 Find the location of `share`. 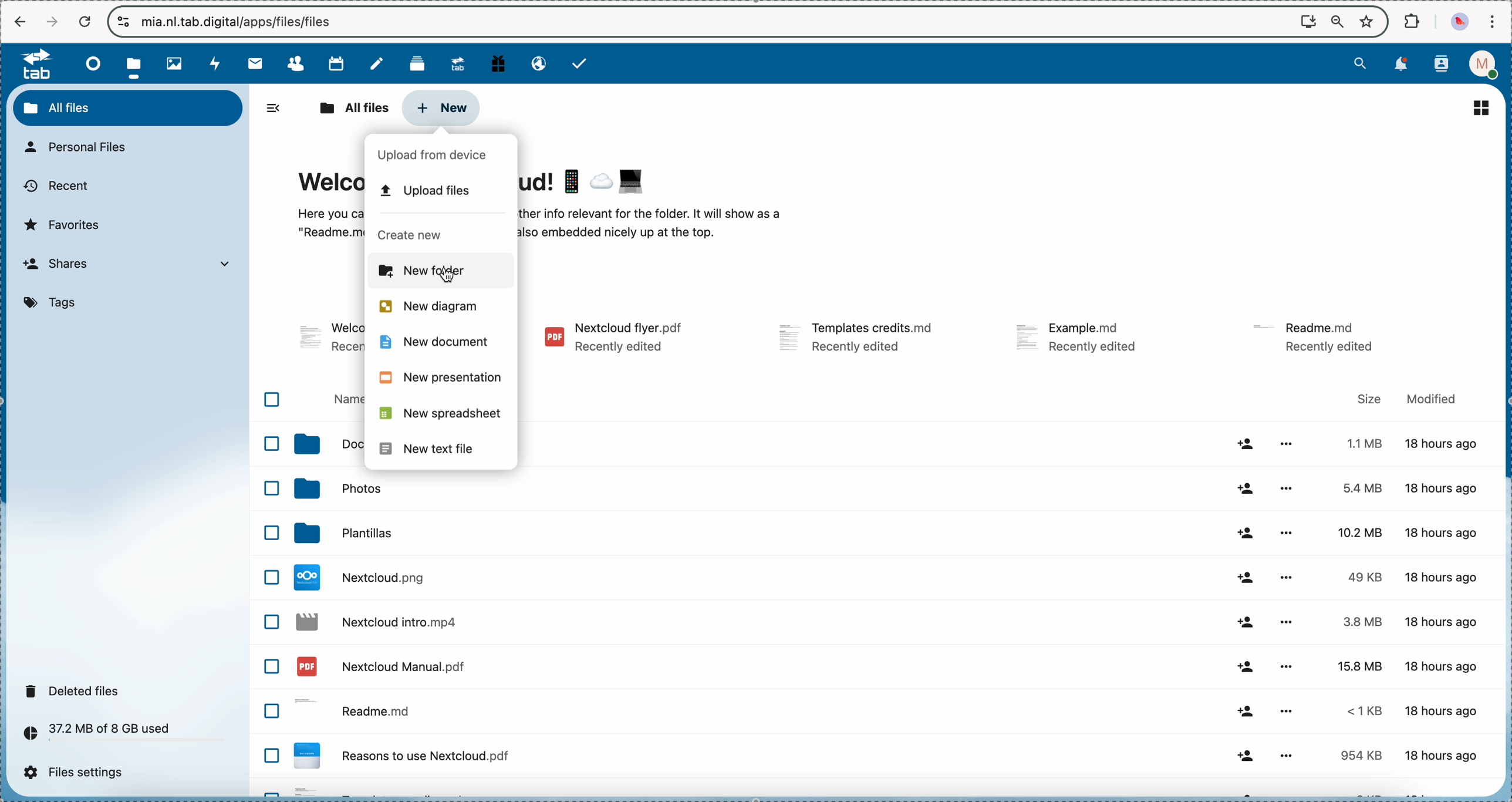

share is located at coordinates (1247, 622).